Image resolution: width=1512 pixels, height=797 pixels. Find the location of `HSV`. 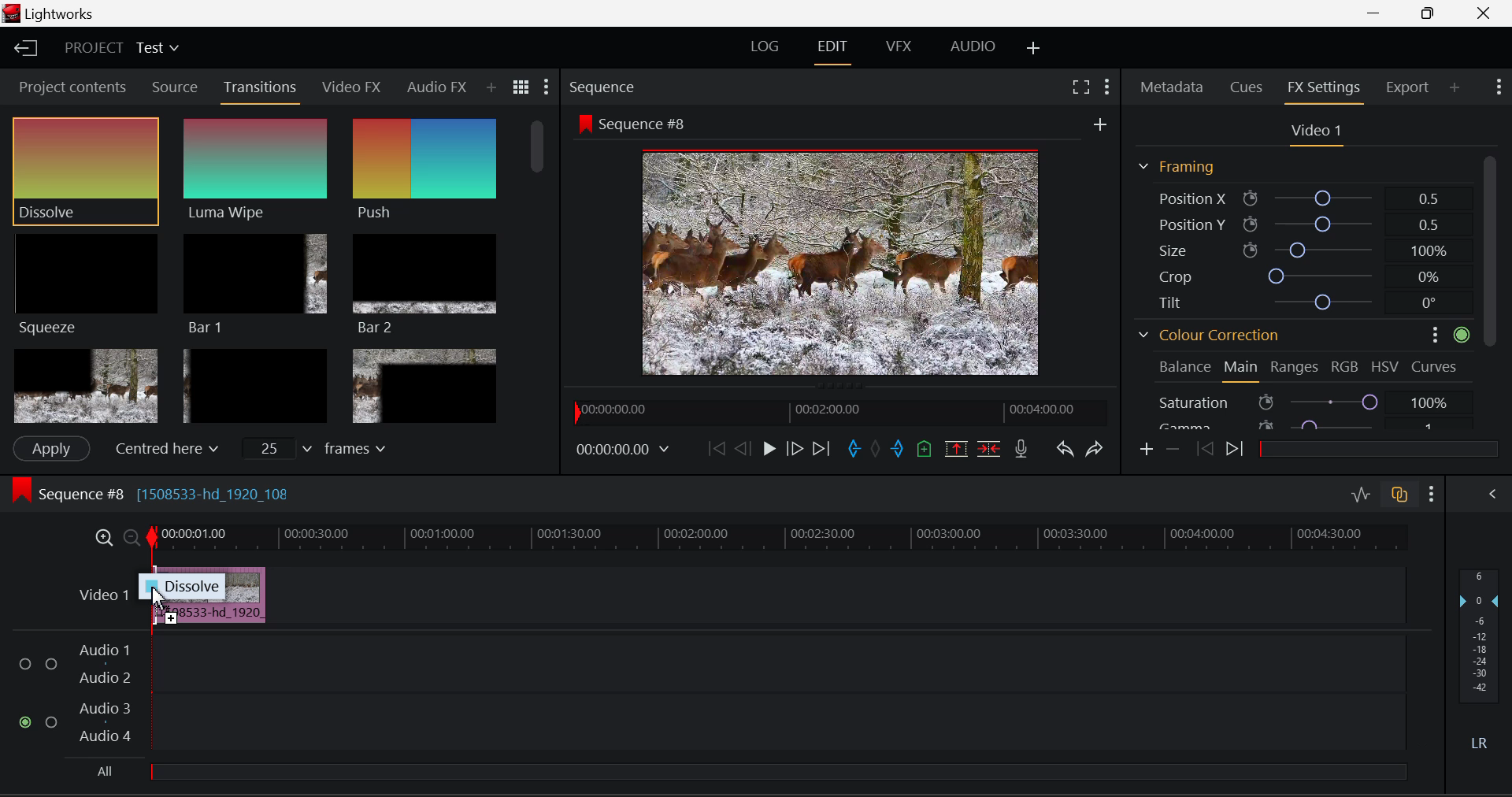

HSV is located at coordinates (1388, 366).